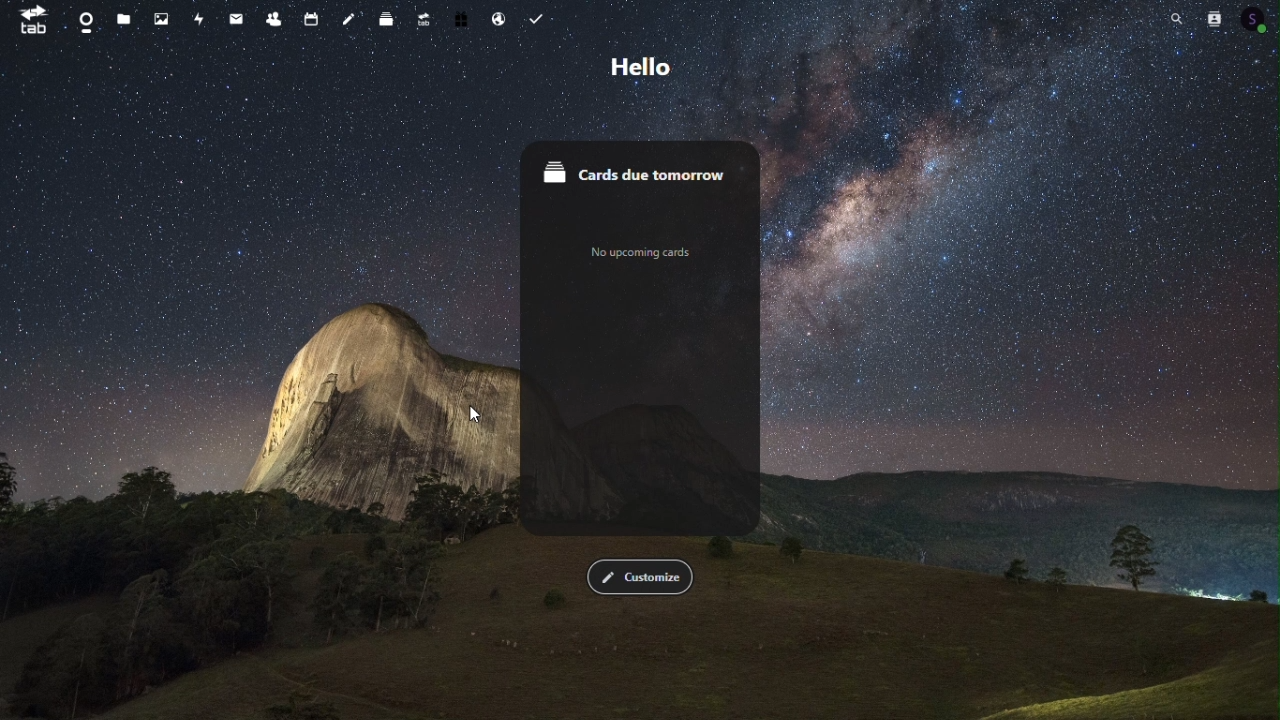 This screenshot has width=1280, height=720. What do you see at coordinates (1170, 17) in the screenshot?
I see `Search` at bounding box center [1170, 17].